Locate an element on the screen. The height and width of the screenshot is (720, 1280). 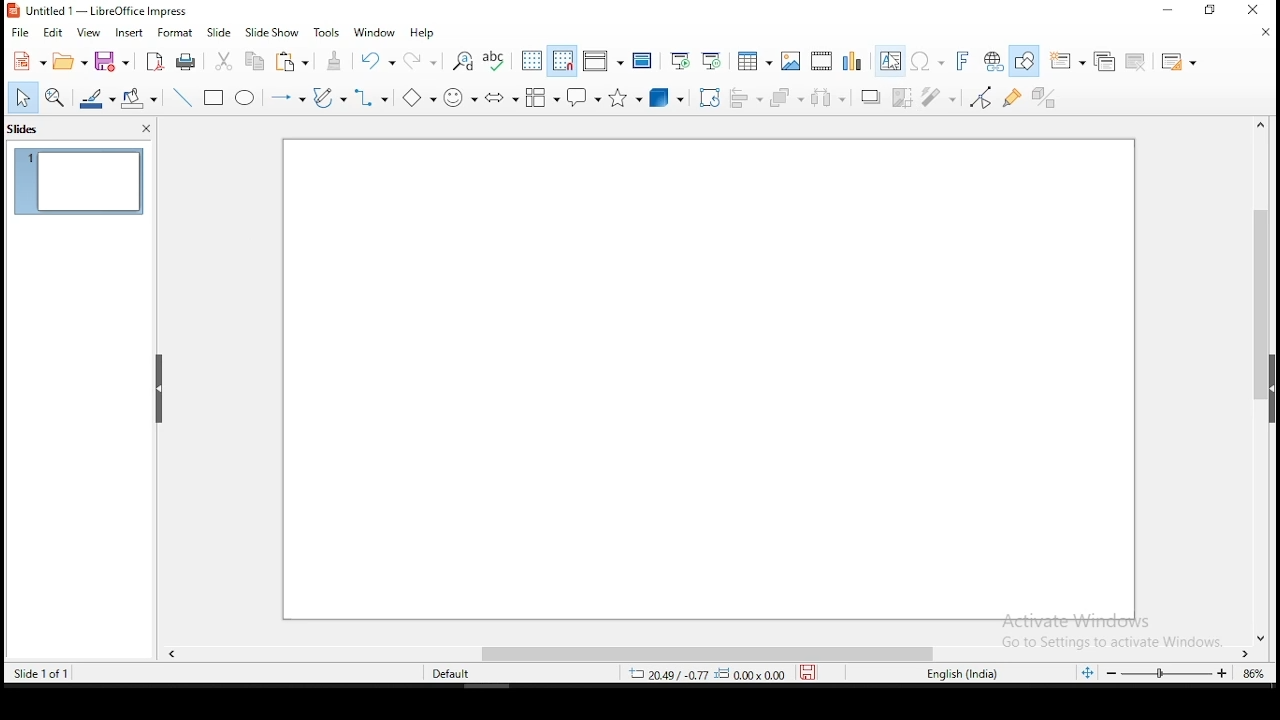
slide show is located at coordinates (272, 33).